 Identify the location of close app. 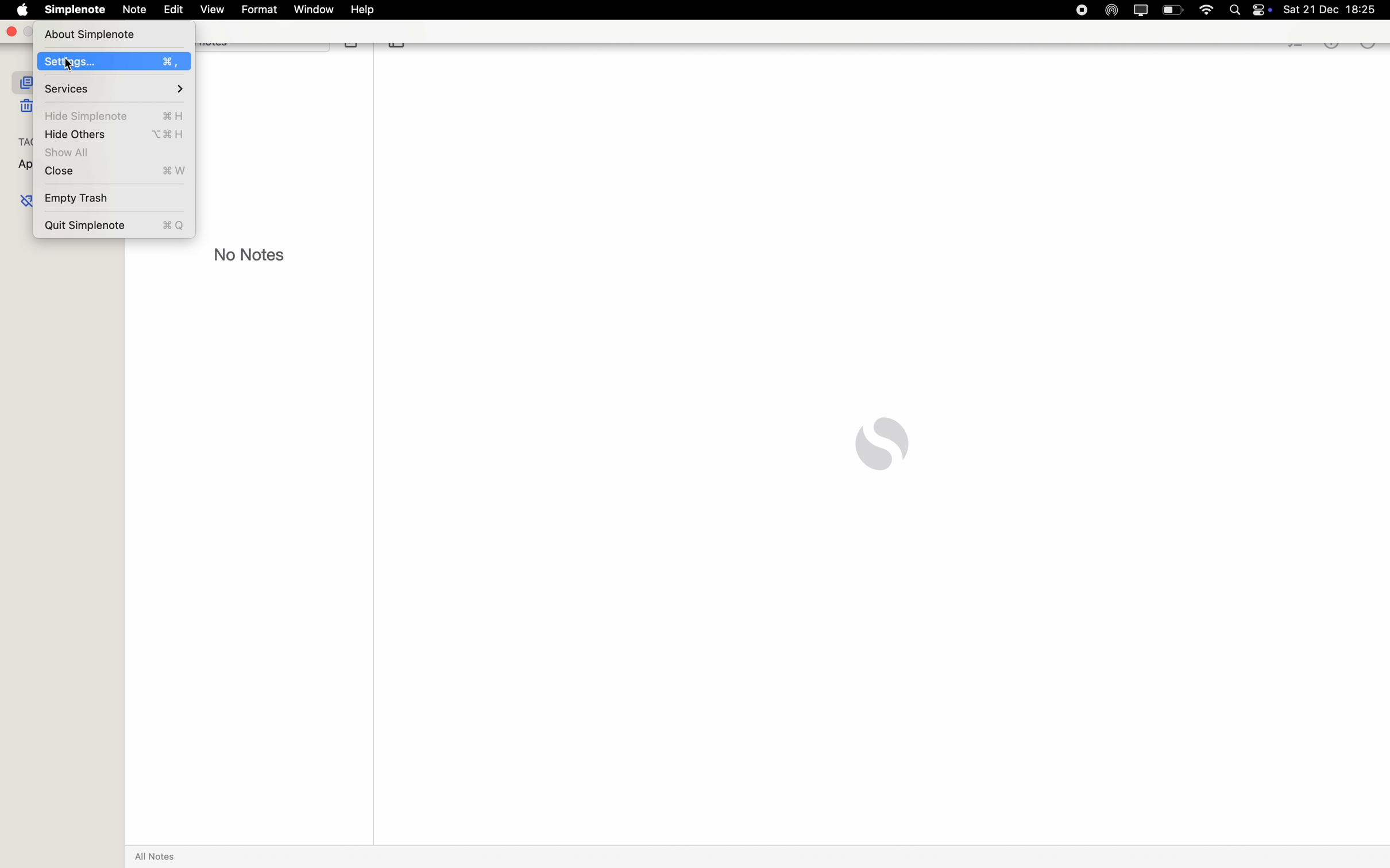
(10, 33).